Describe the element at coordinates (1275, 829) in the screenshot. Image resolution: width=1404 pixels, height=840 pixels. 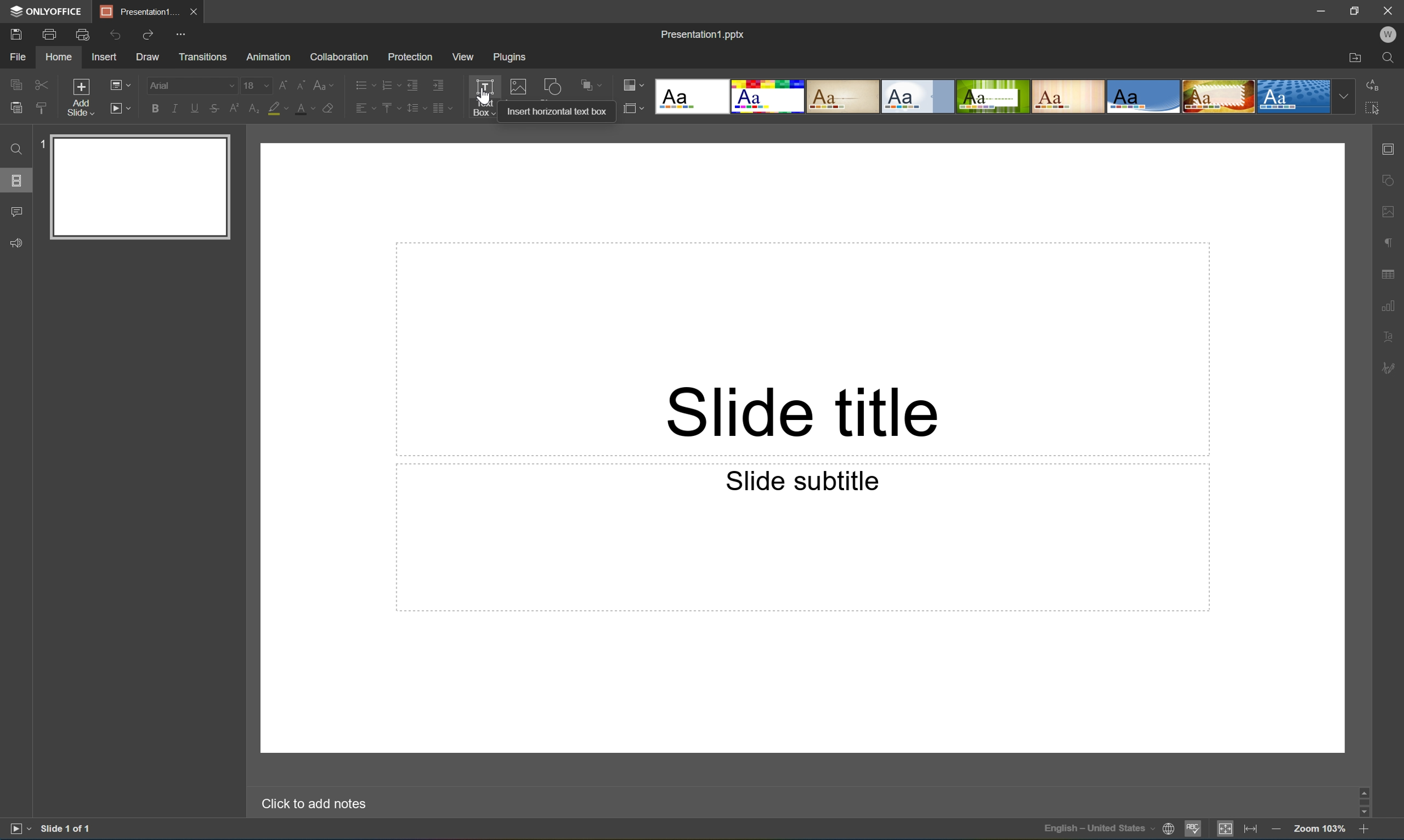
I see `Zoom out` at that location.